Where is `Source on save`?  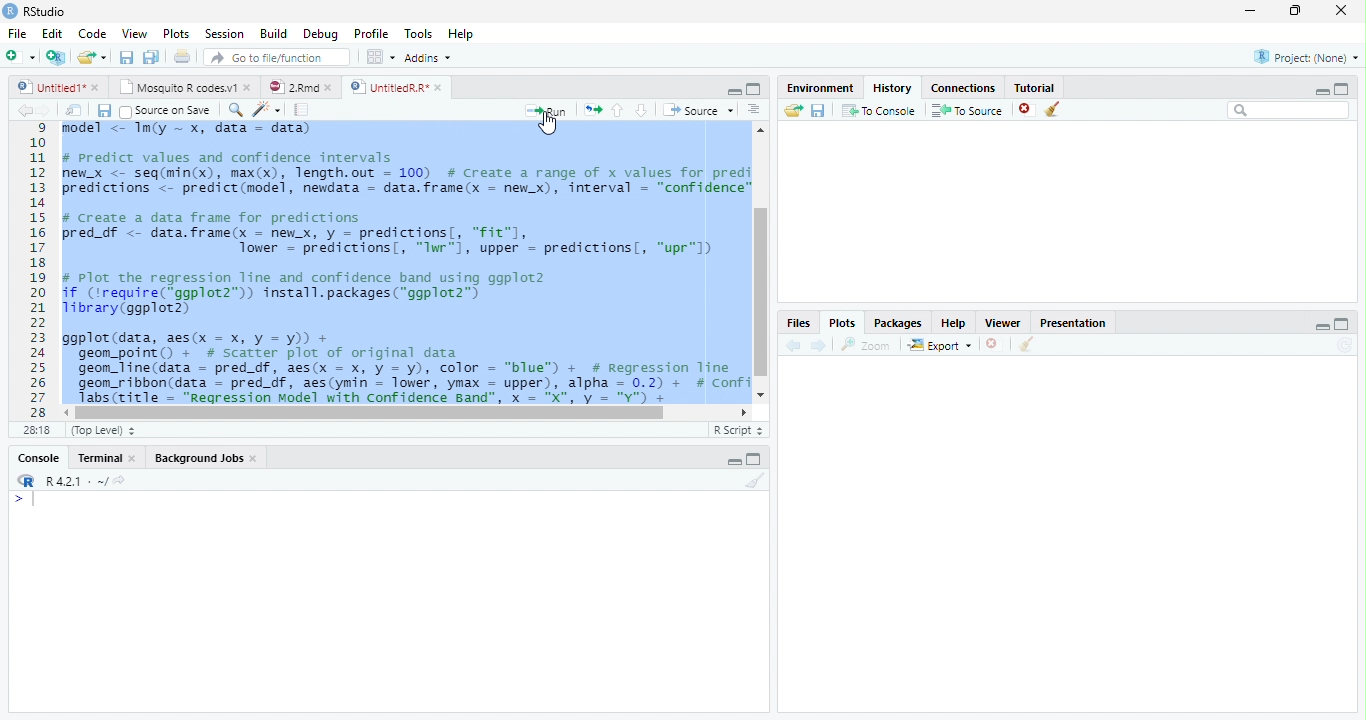
Source on save is located at coordinates (166, 110).